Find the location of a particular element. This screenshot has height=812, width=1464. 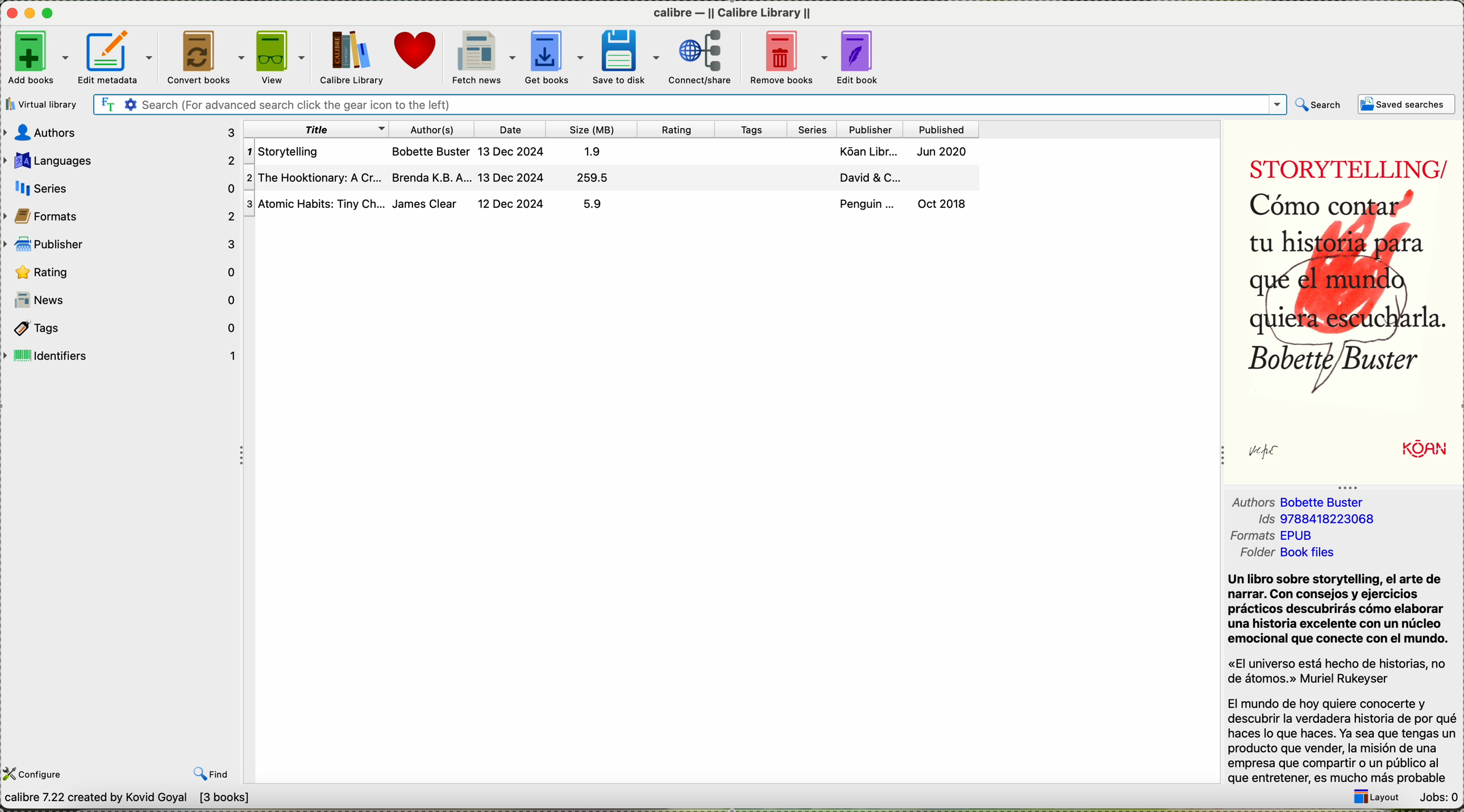

ids  is located at coordinates (1253, 520).